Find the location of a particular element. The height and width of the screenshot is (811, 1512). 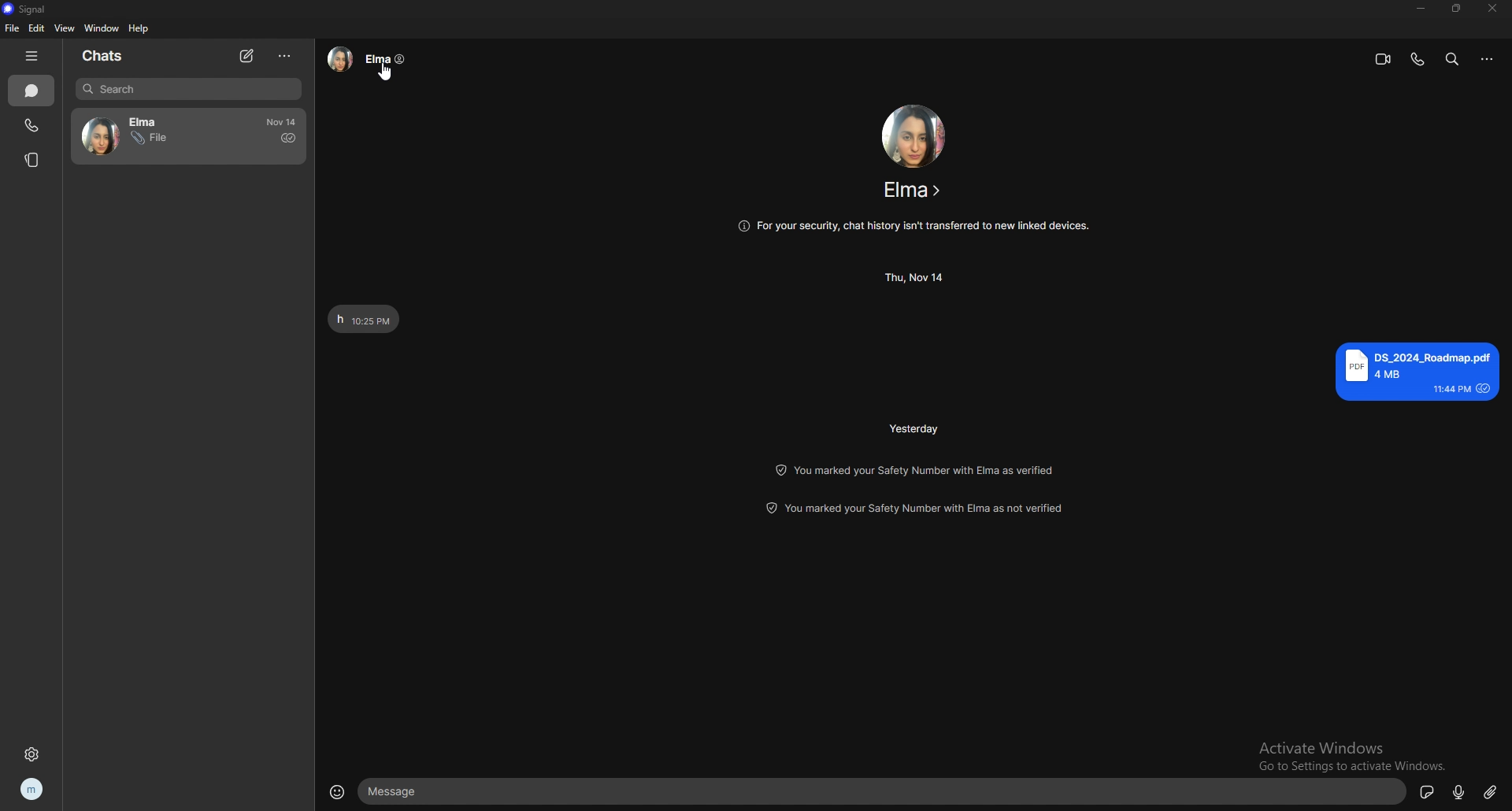

time is located at coordinates (917, 279).